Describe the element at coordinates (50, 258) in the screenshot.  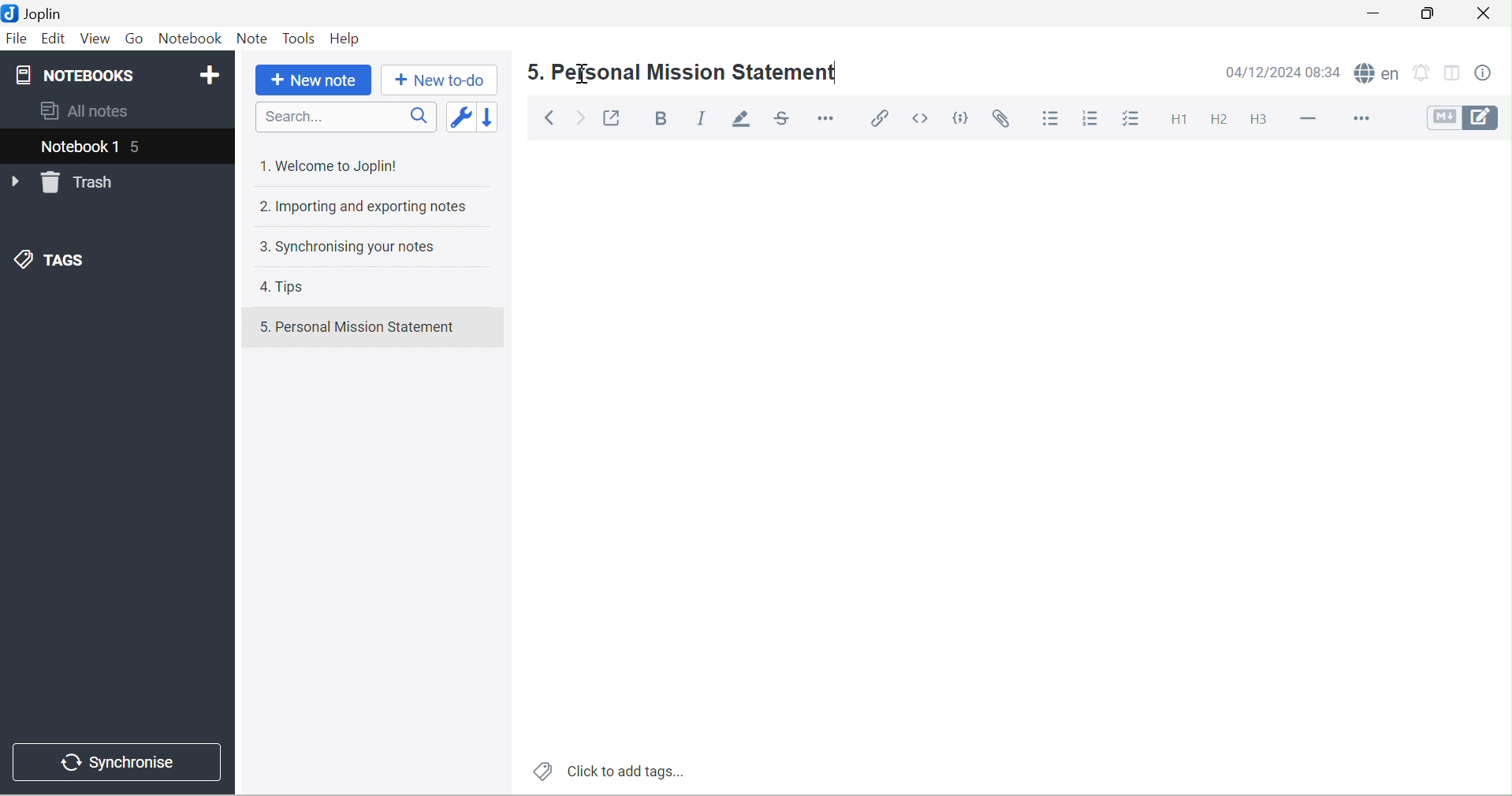
I see `TAGS` at that location.